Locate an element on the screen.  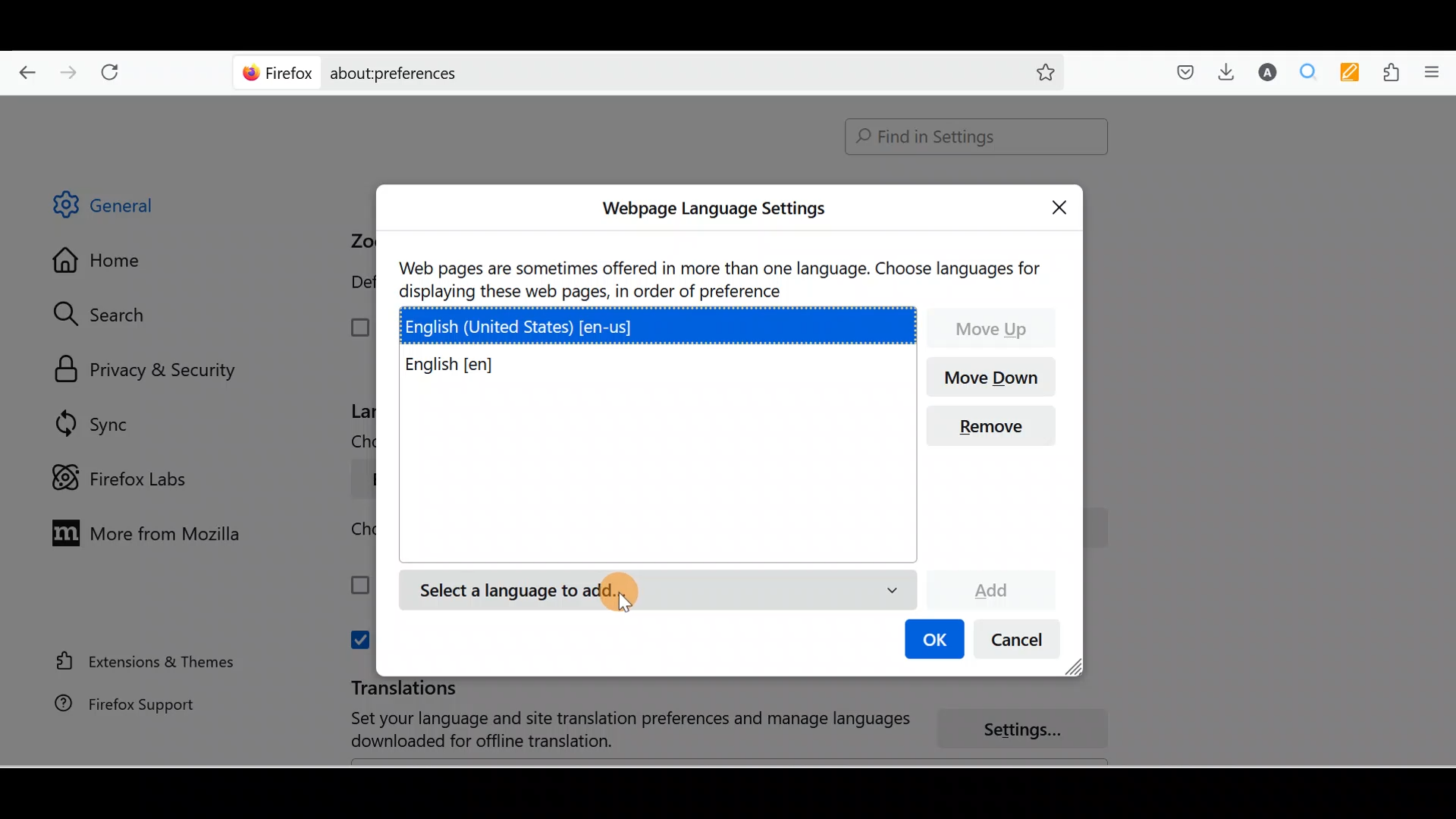
Web pages are sometimes offered in more than one language. Choose languages for displaying these web pages, in order of preference is located at coordinates (723, 278).